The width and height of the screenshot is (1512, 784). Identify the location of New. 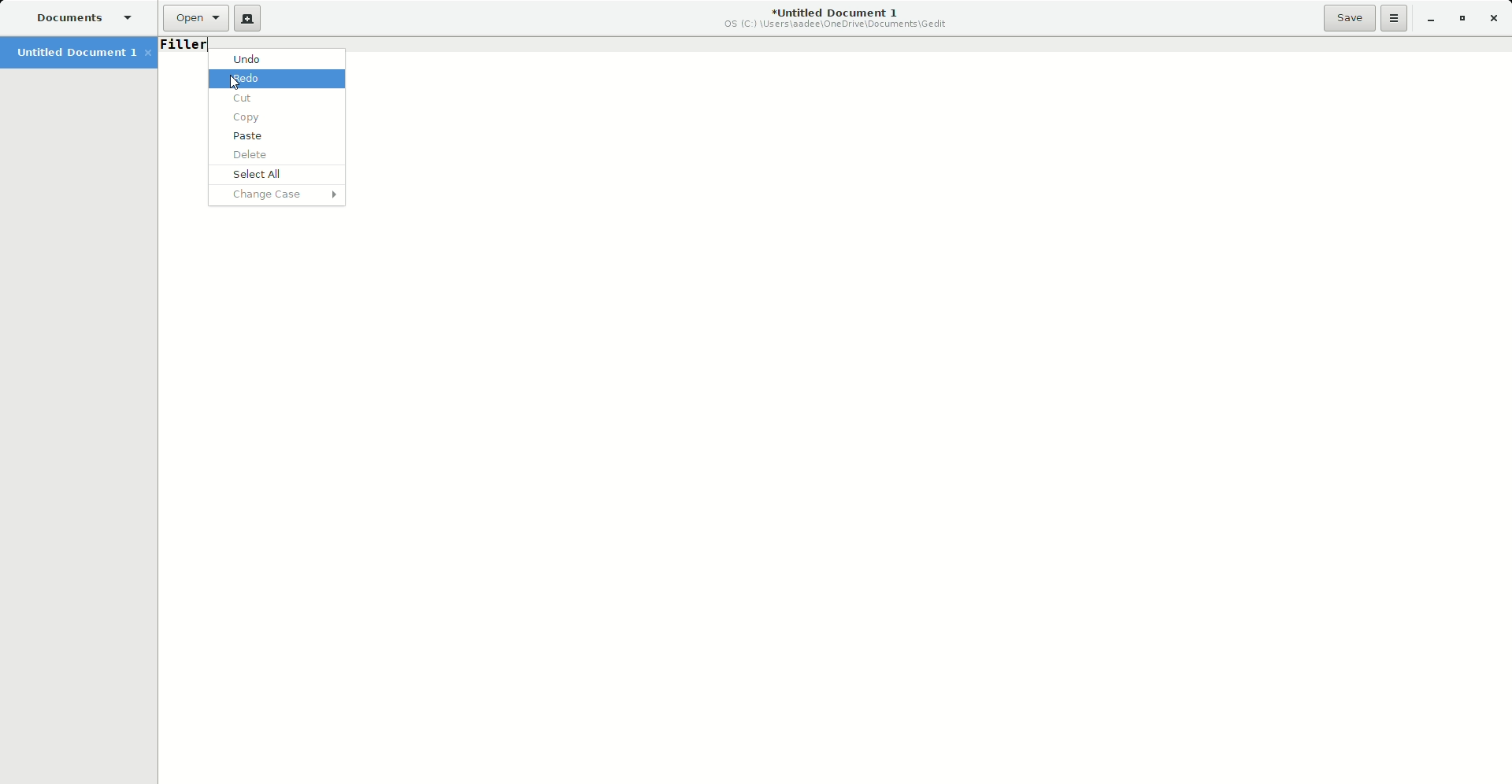
(248, 19).